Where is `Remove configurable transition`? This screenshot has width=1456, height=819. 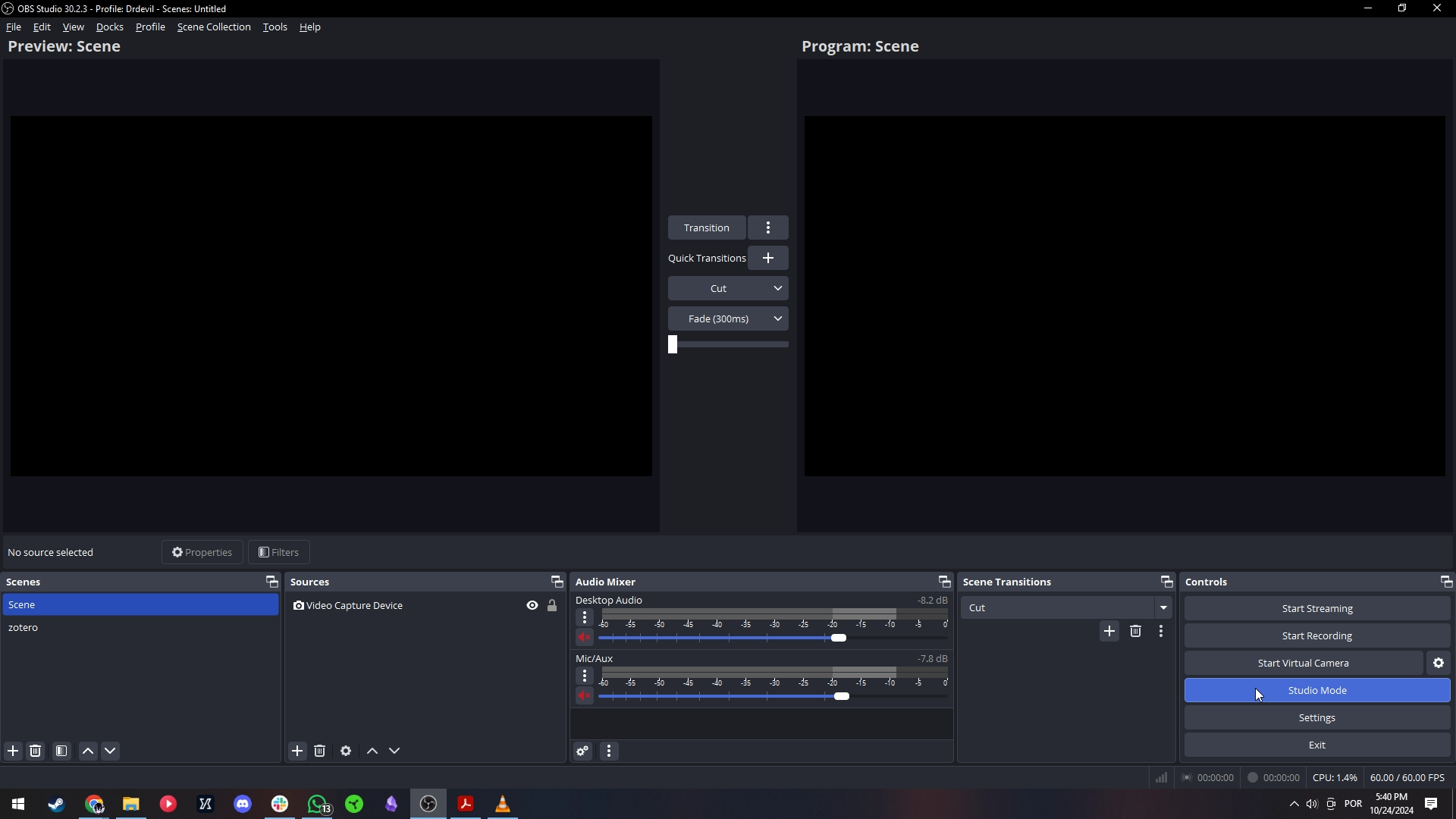
Remove configurable transition is located at coordinates (1135, 632).